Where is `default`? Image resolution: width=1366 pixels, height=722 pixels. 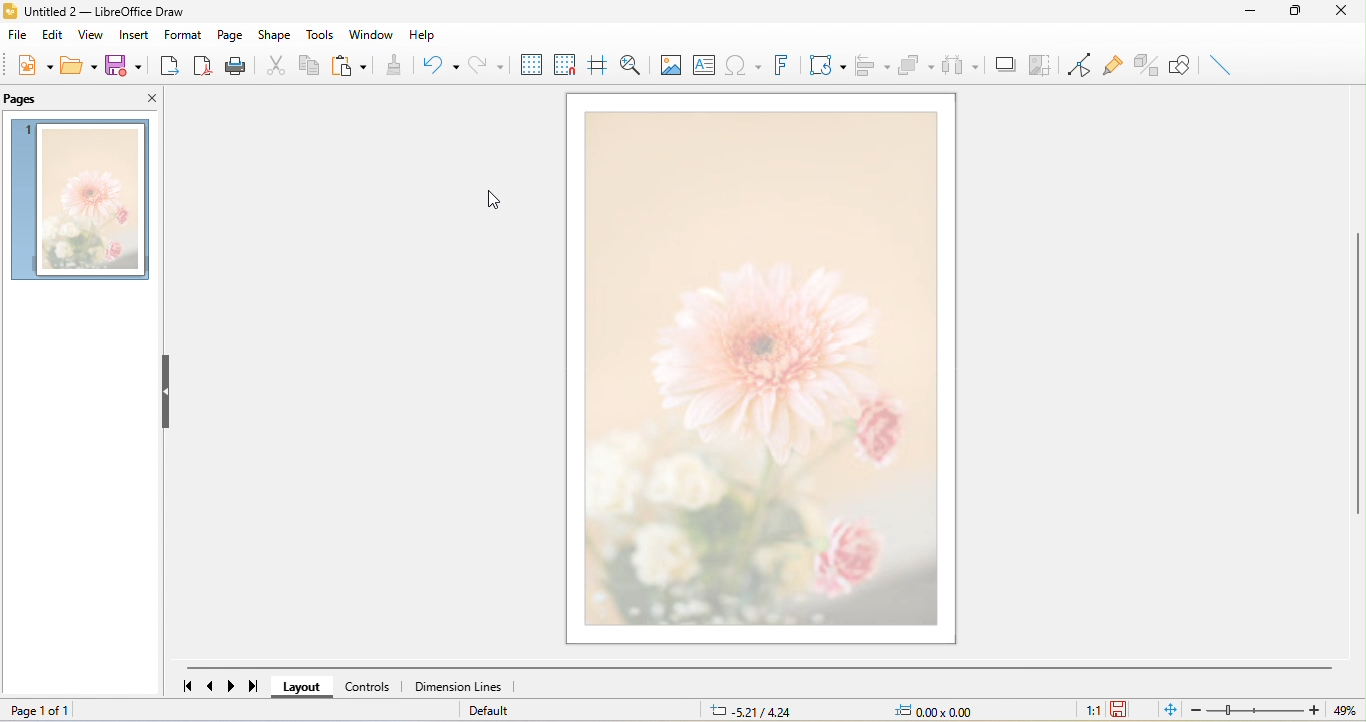 default is located at coordinates (491, 711).